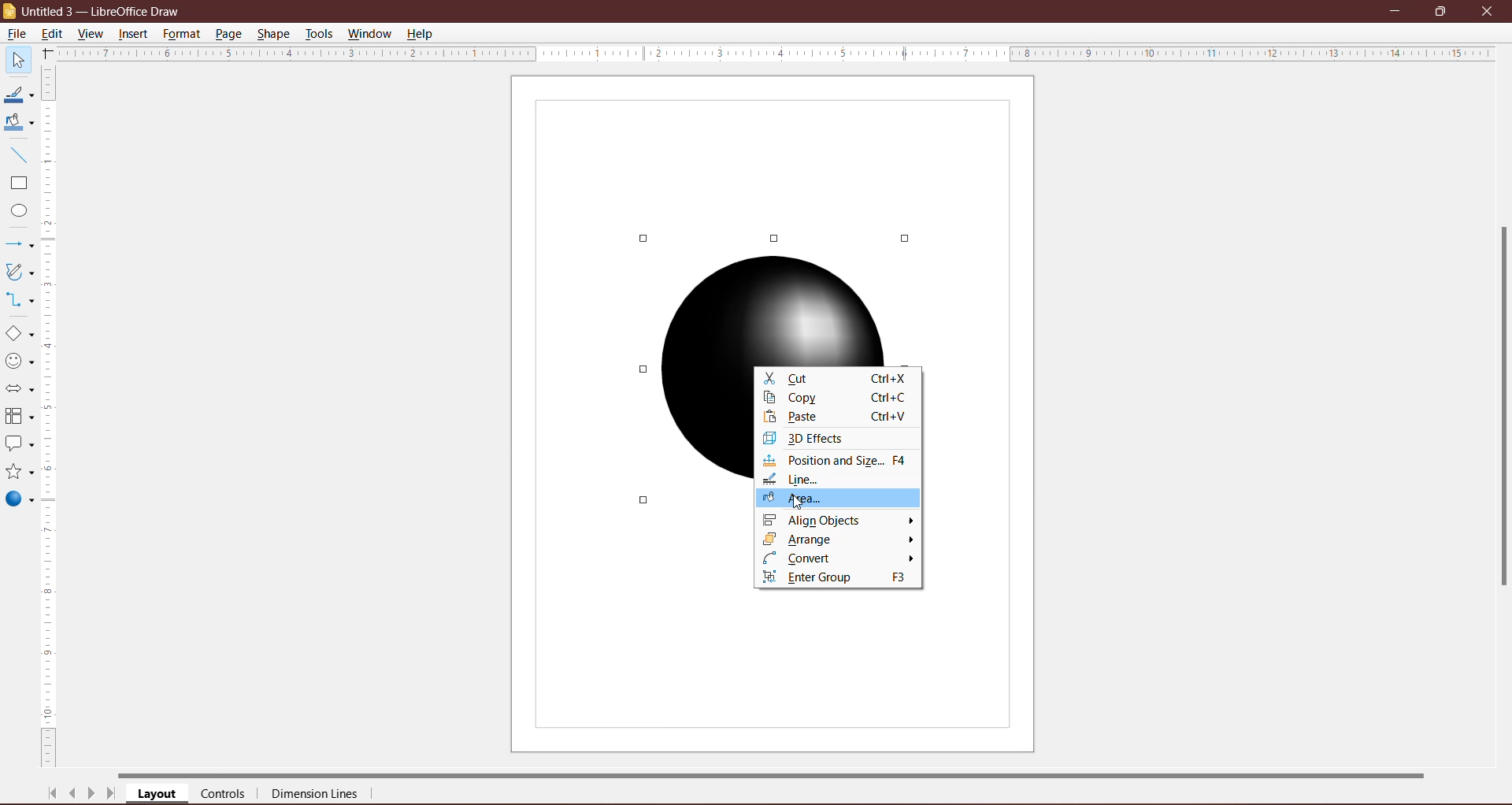  What do you see at coordinates (158, 795) in the screenshot?
I see `Layout` at bounding box center [158, 795].